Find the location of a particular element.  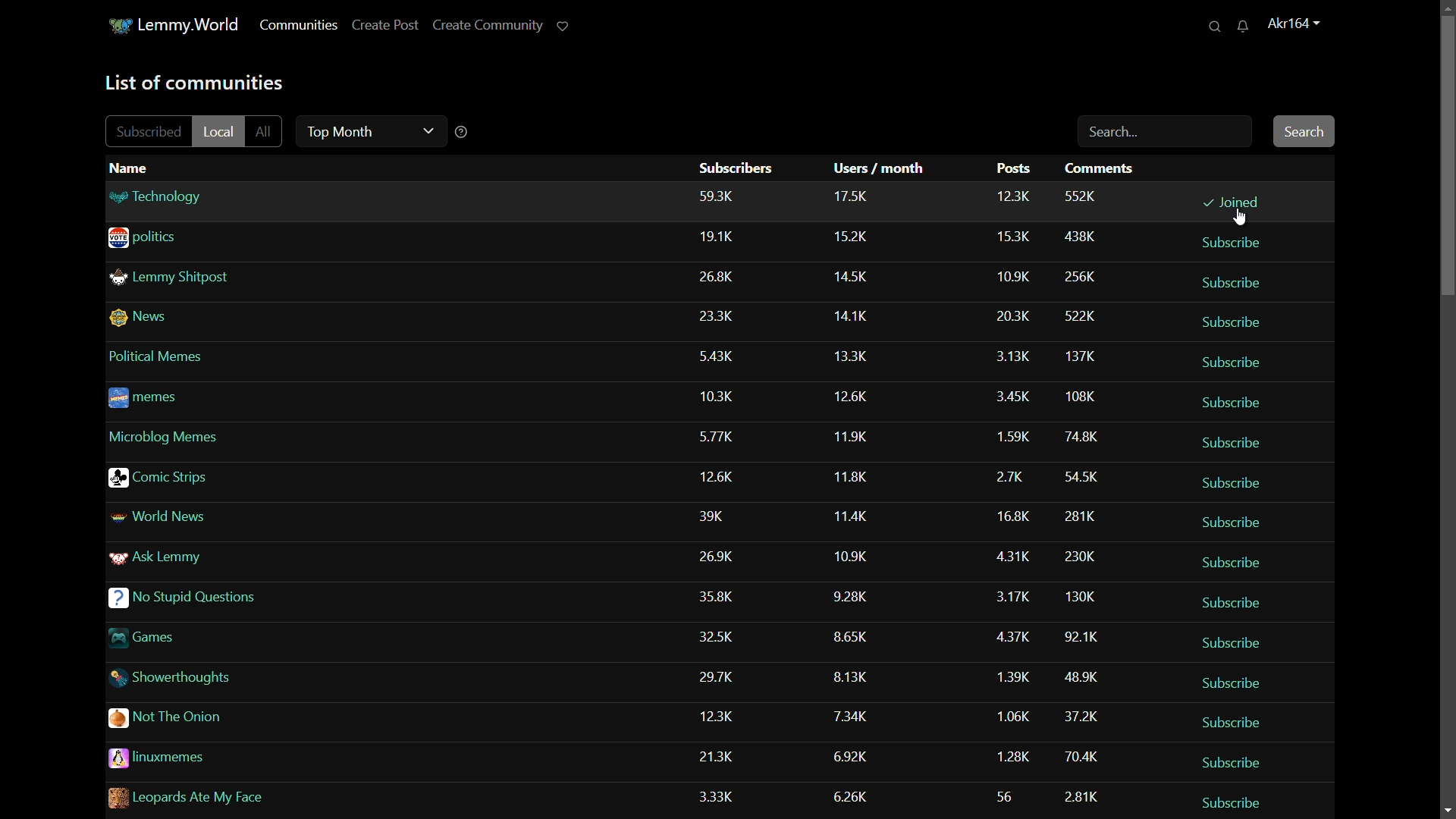

user per month is located at coordinates (855, 514).